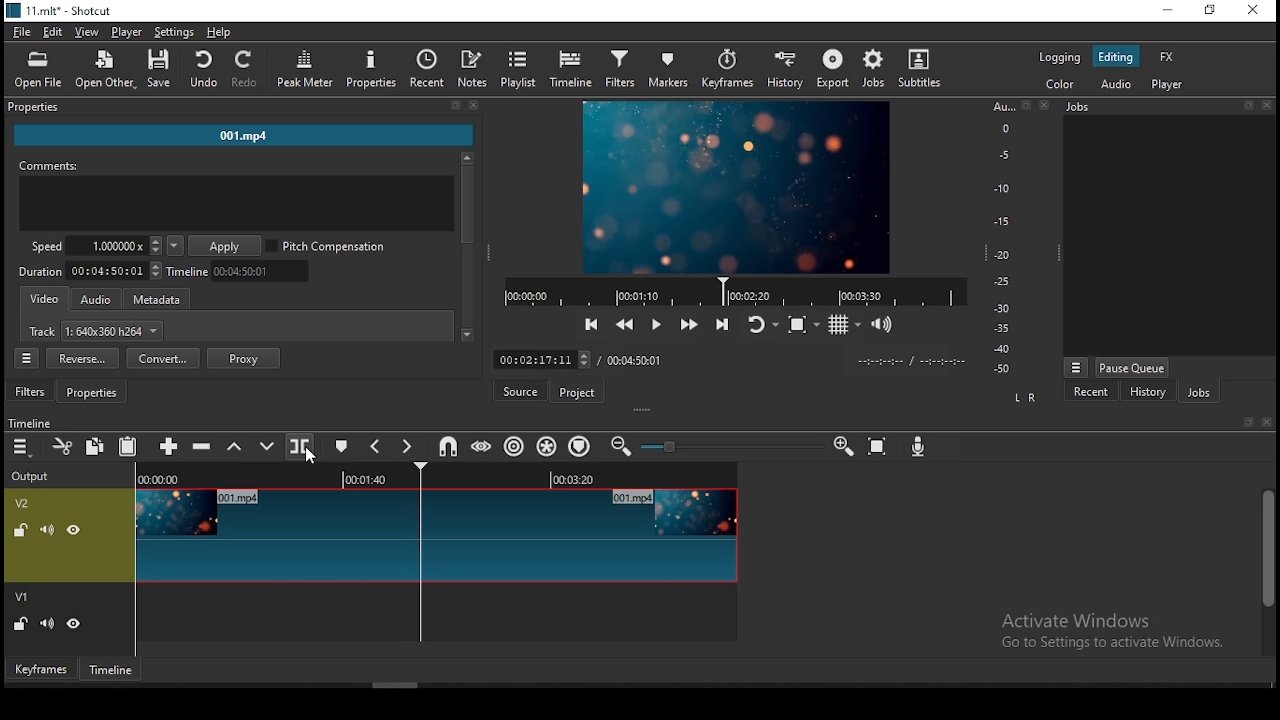 This screenshot has height=720, width=1280. Describe the element at coordinates (159, 68) in the screenshot. I see `save` at that location.